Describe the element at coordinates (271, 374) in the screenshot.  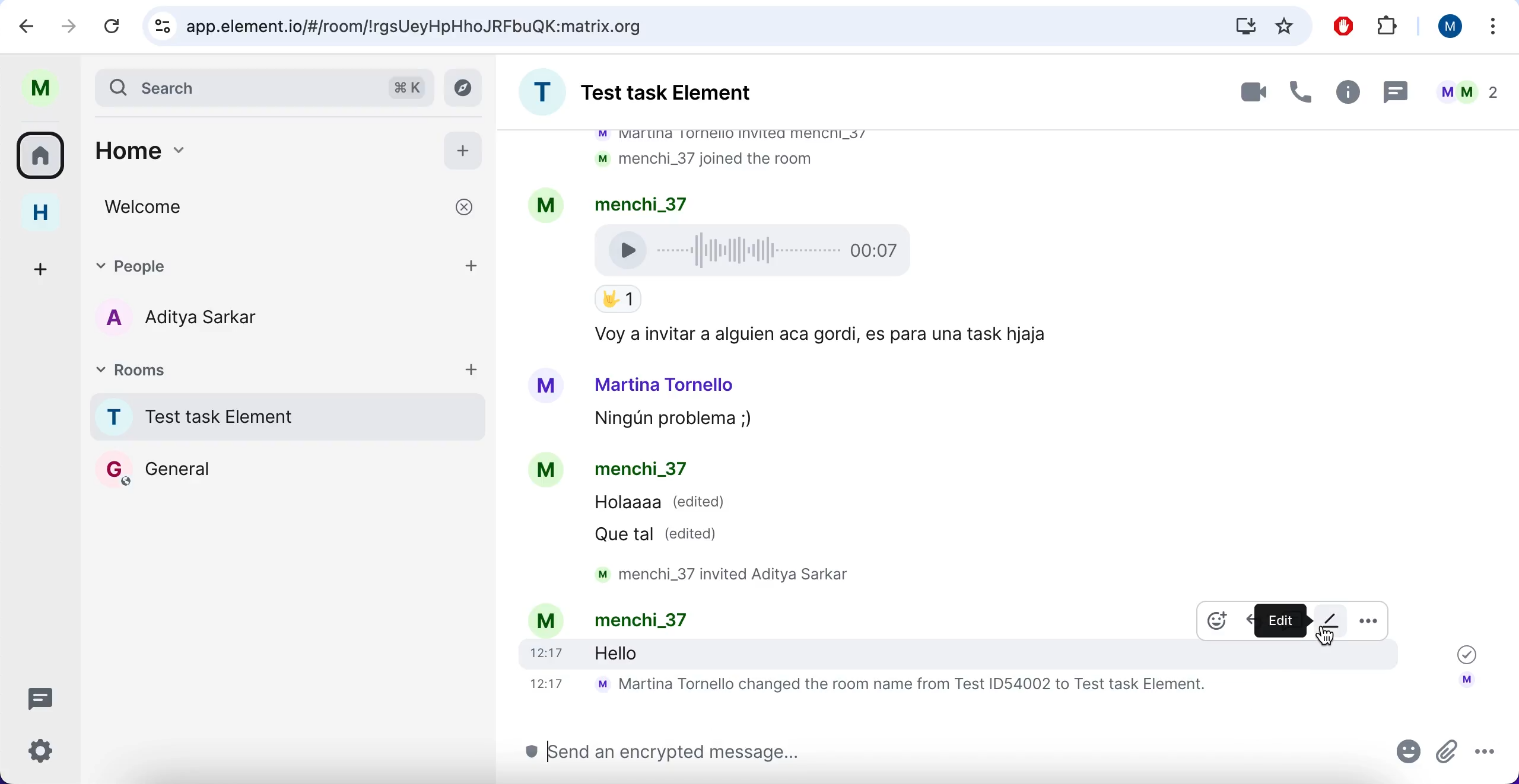
I see `rooms` at that location.